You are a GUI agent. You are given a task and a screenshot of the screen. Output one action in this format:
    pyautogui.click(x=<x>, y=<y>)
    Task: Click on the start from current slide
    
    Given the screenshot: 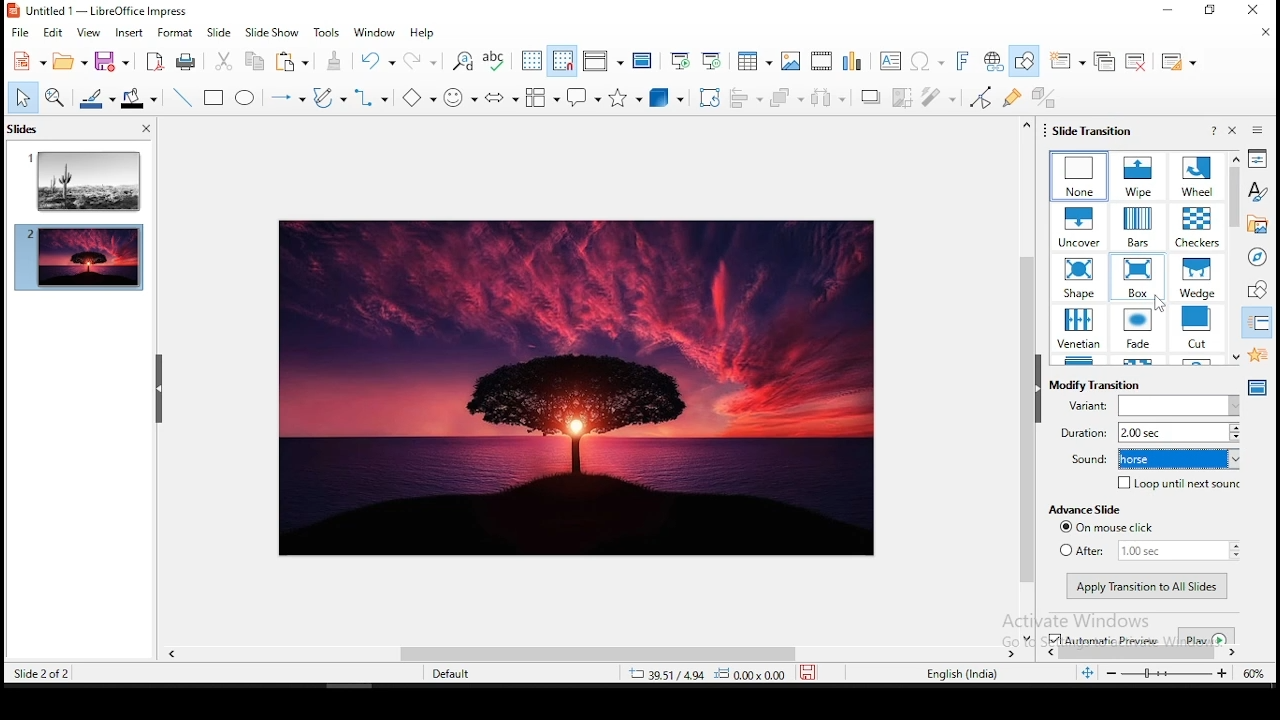 What is the action you would take?
    pyautogui.click(x=713, y=58)
    